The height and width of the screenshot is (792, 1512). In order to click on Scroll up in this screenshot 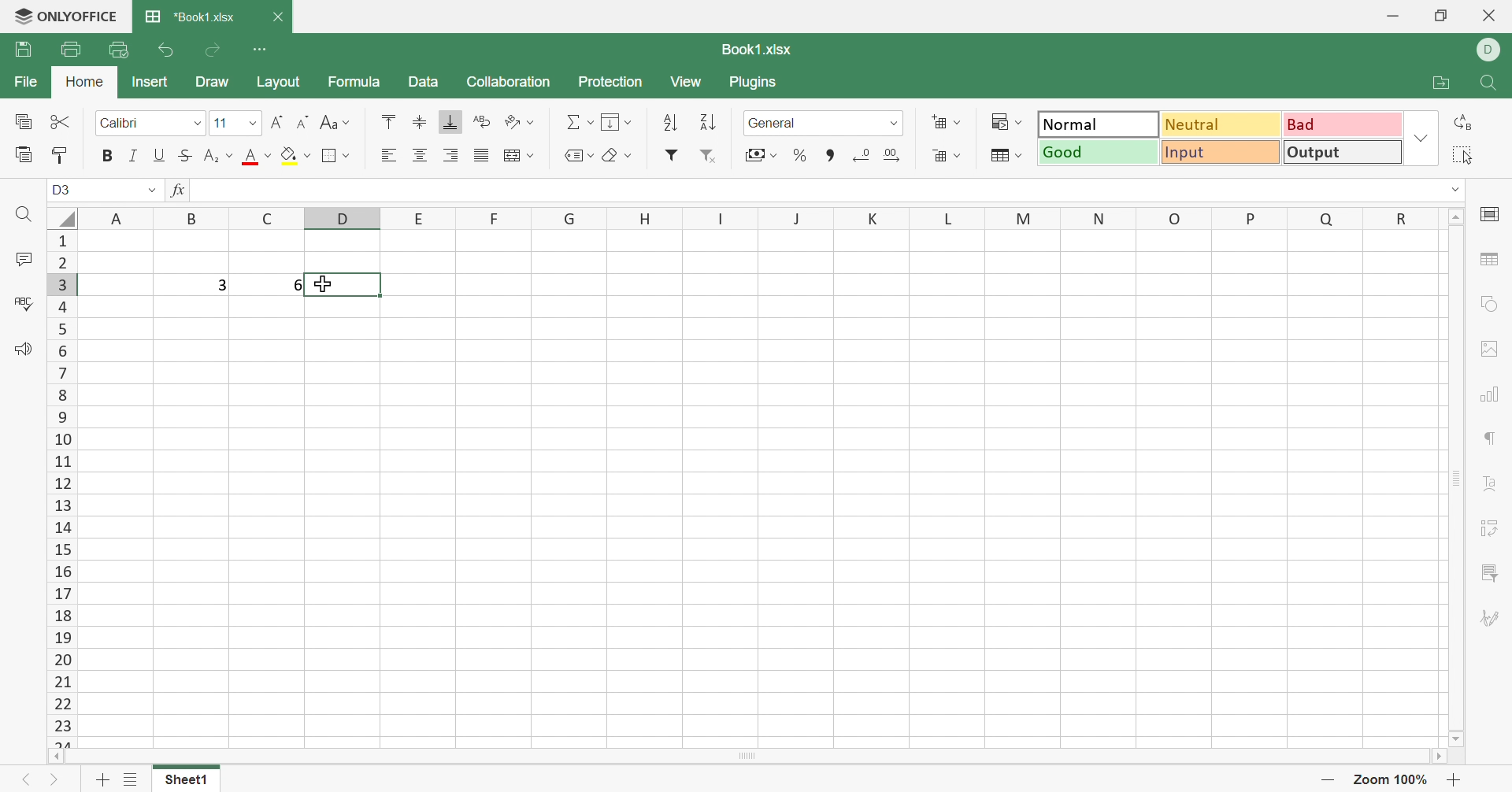, I will do `click(1460, 215)`.